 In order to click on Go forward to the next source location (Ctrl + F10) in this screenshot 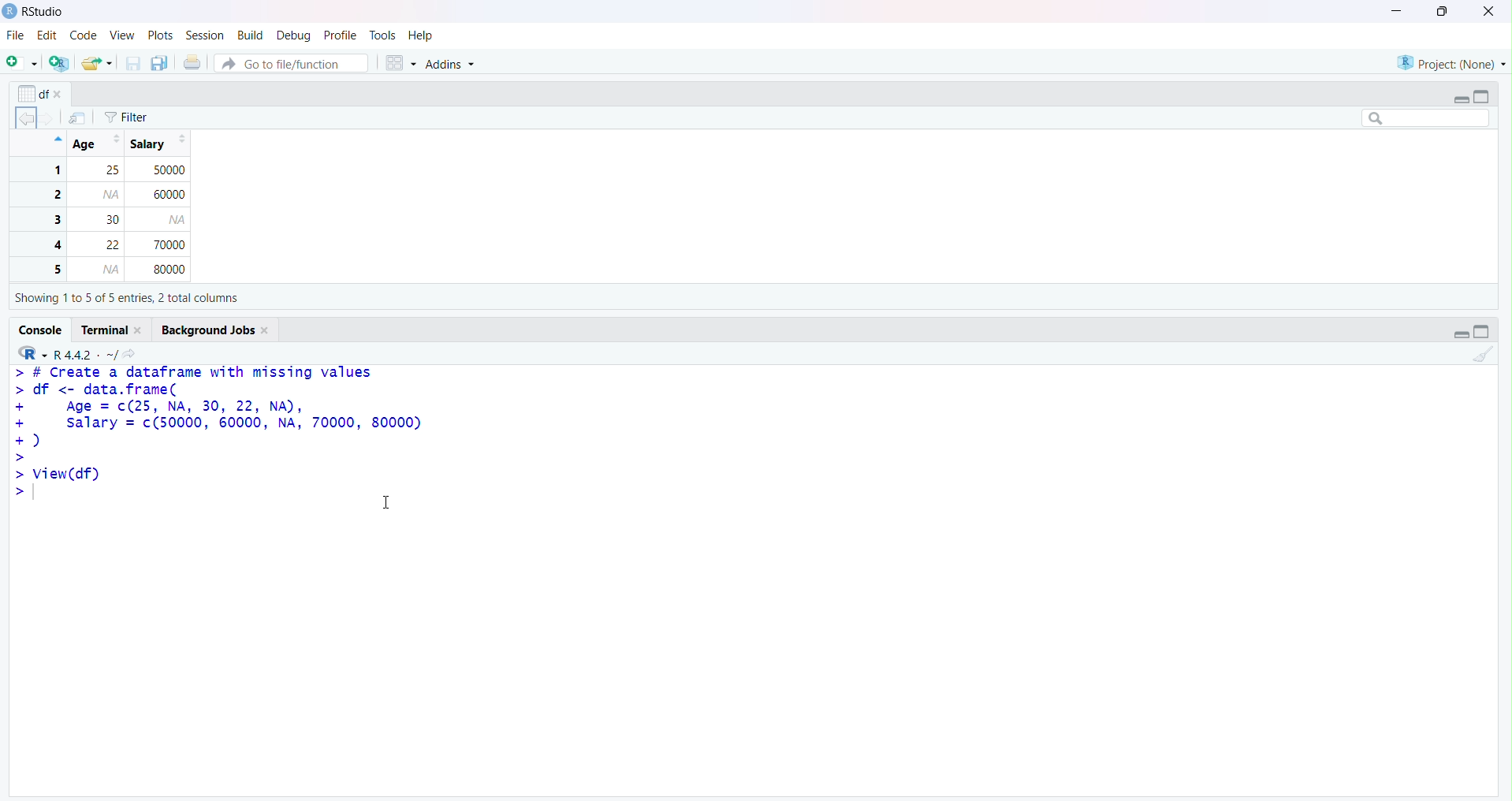, I will do `click(50, 118)`.